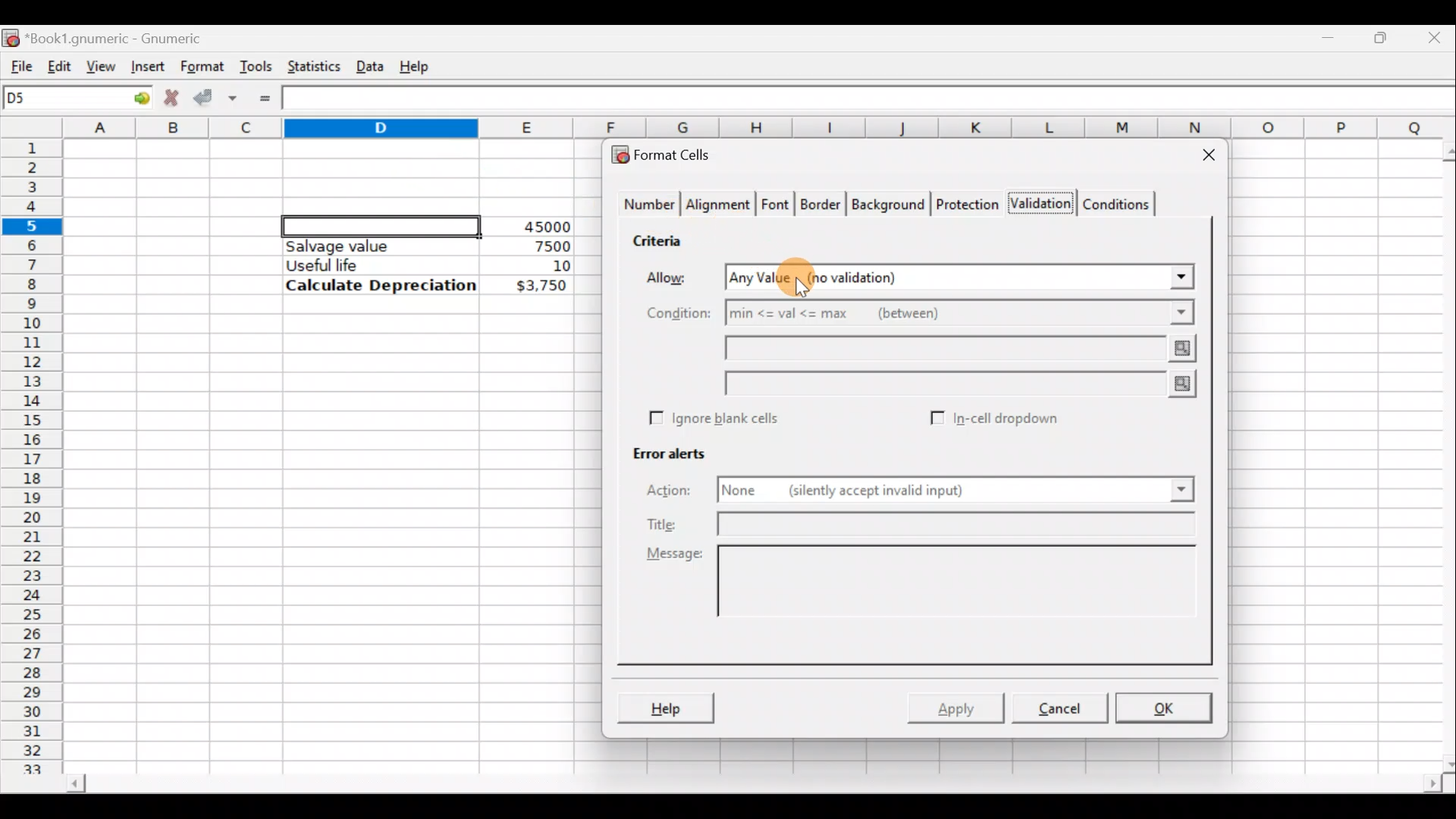  What do you see at coordinates (908, 311) in the screenshot?
I see `min<=val<=max (between)` at bounding box center [908, 311].